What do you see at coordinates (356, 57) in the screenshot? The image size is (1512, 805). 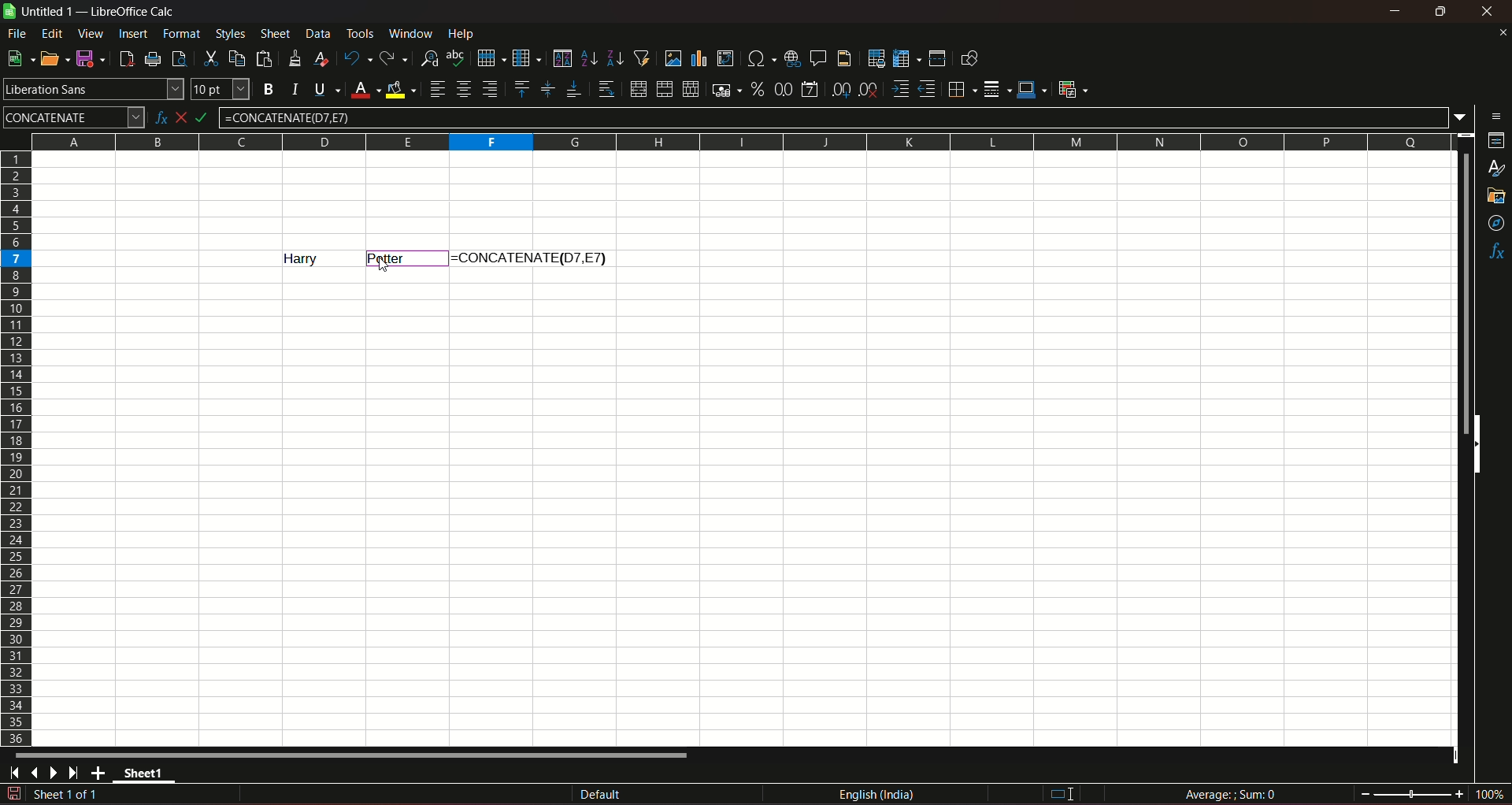 I see `undo` at bounding box center [356, 57].